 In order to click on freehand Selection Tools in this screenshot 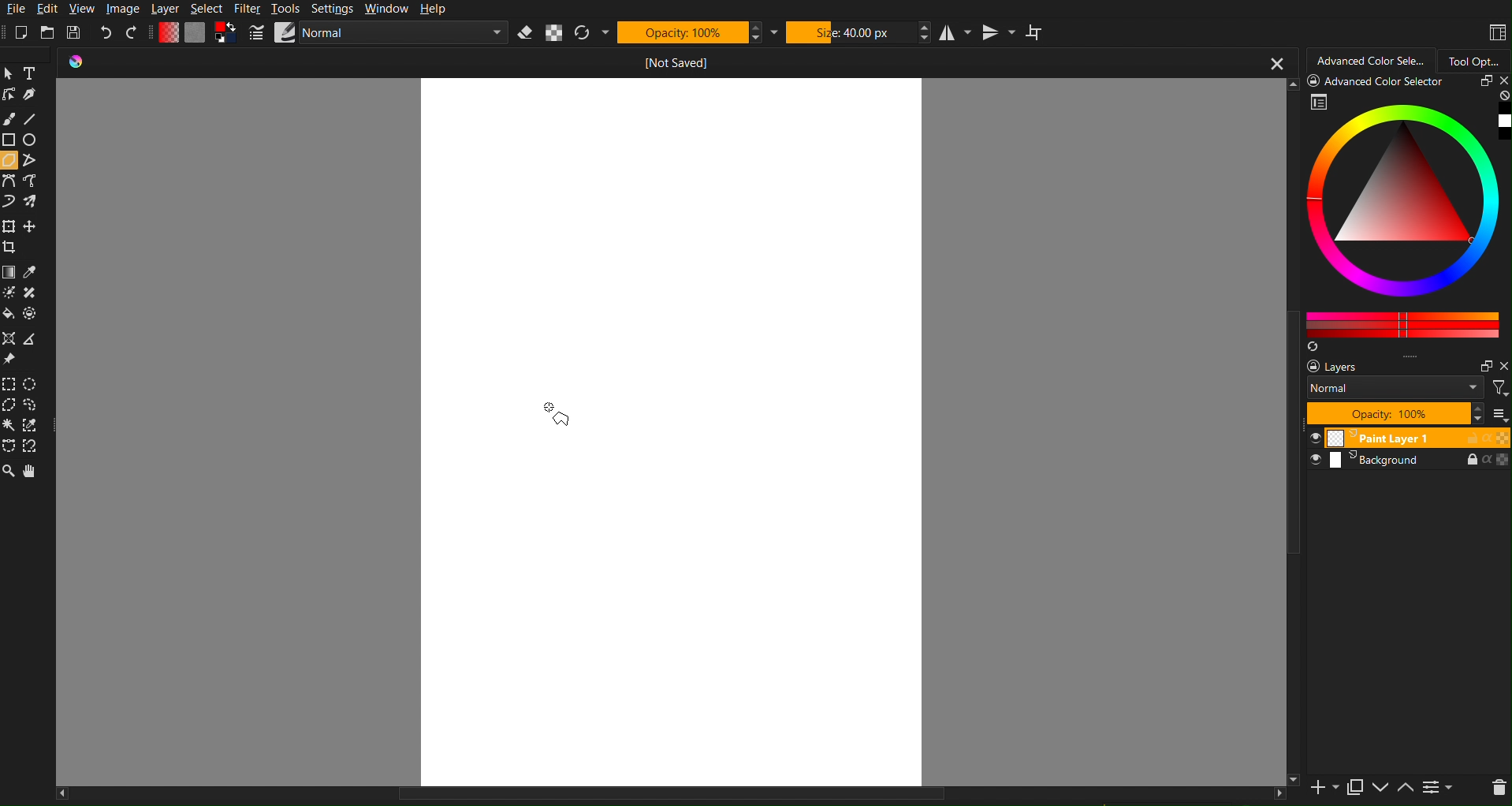, I will do `click(37, 406)`.